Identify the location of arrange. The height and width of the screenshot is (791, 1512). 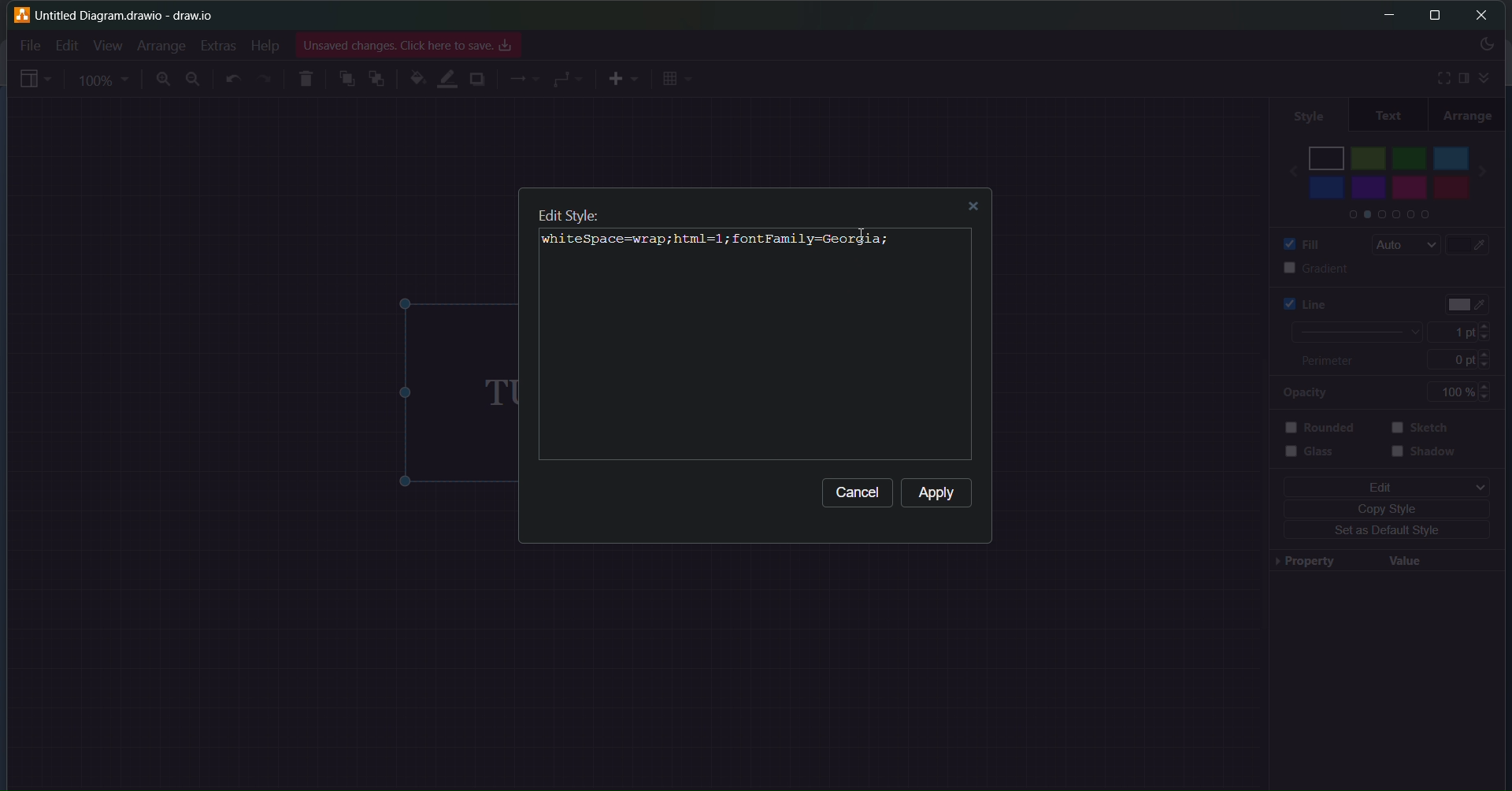
(1469, 115).